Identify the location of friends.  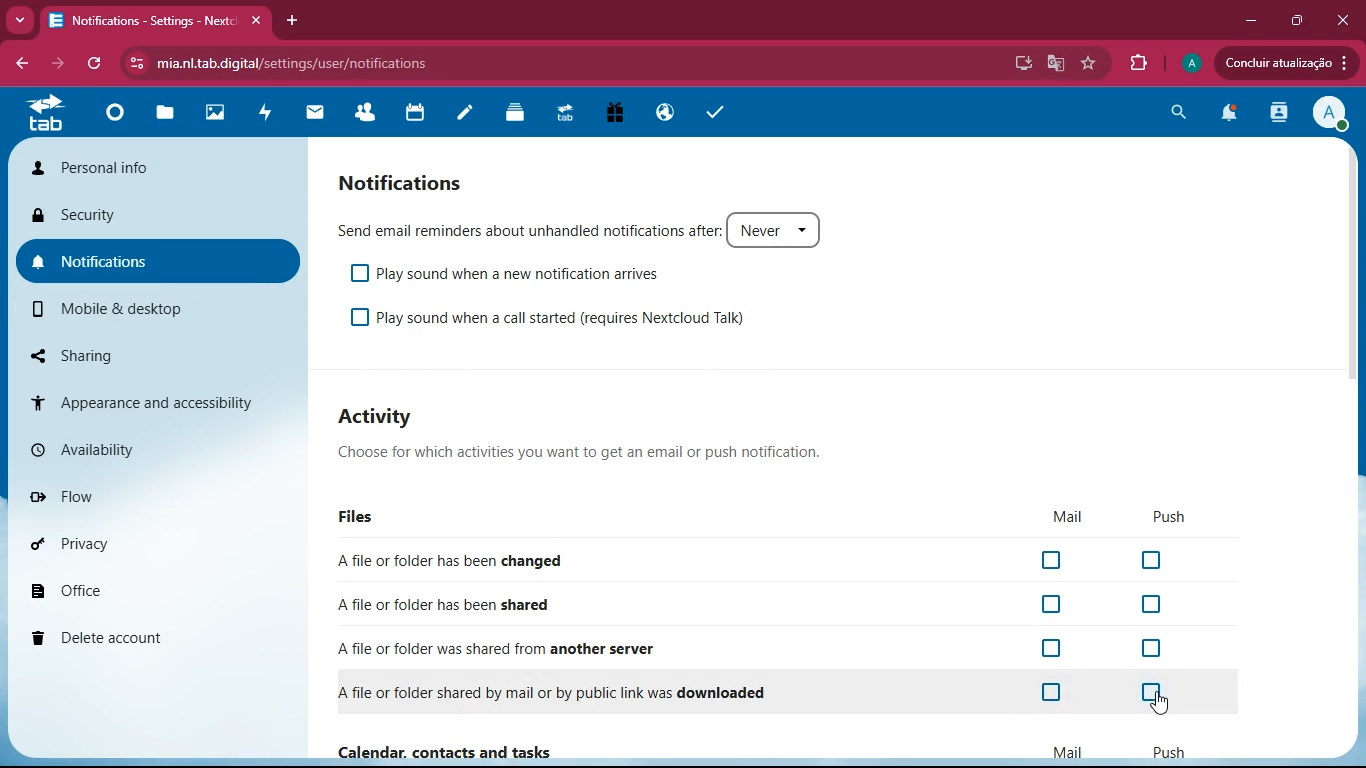
(359, 115).